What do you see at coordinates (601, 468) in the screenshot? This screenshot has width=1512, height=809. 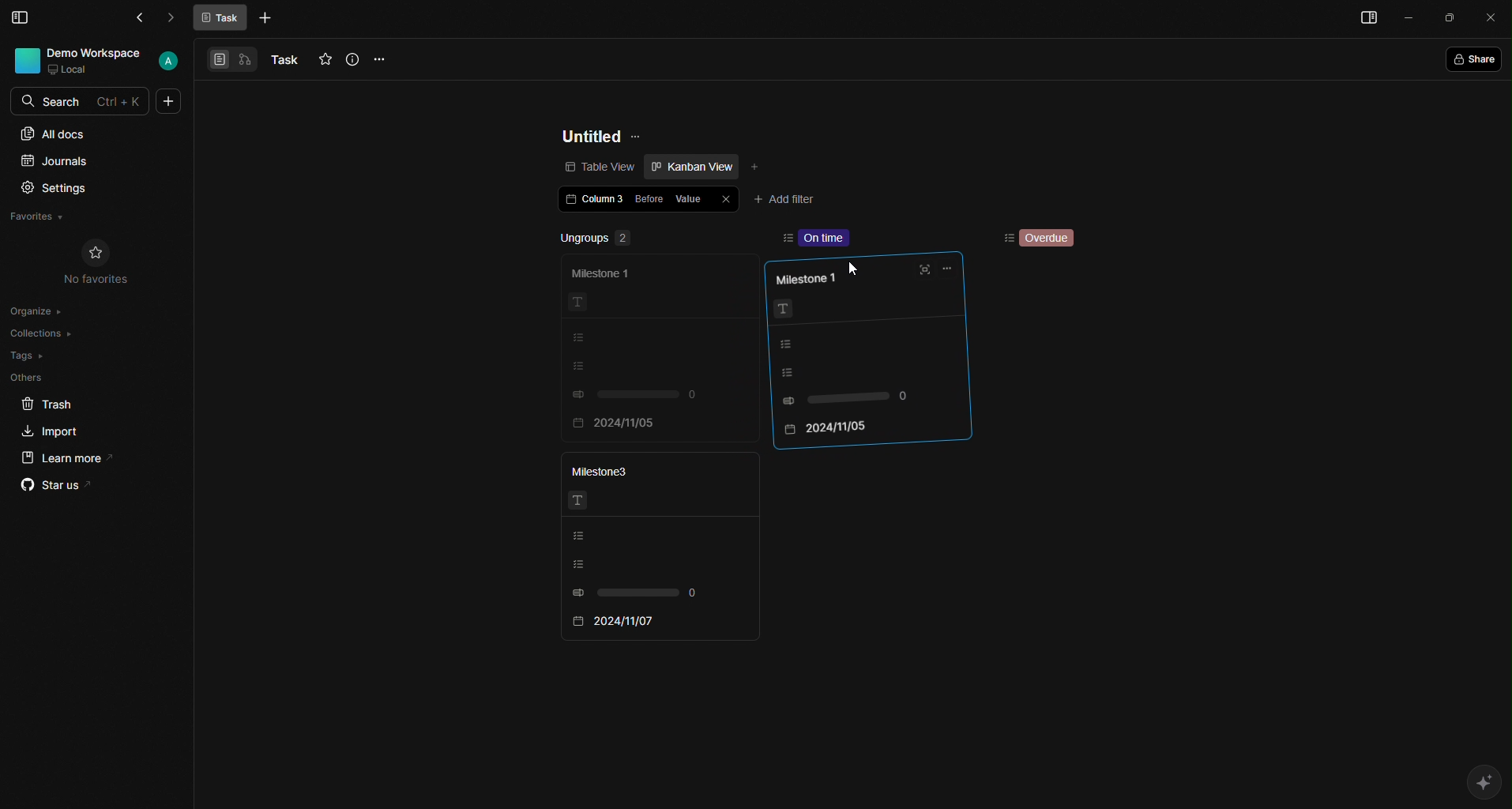 I see `Milestone3` at bounding box center [601, 468].